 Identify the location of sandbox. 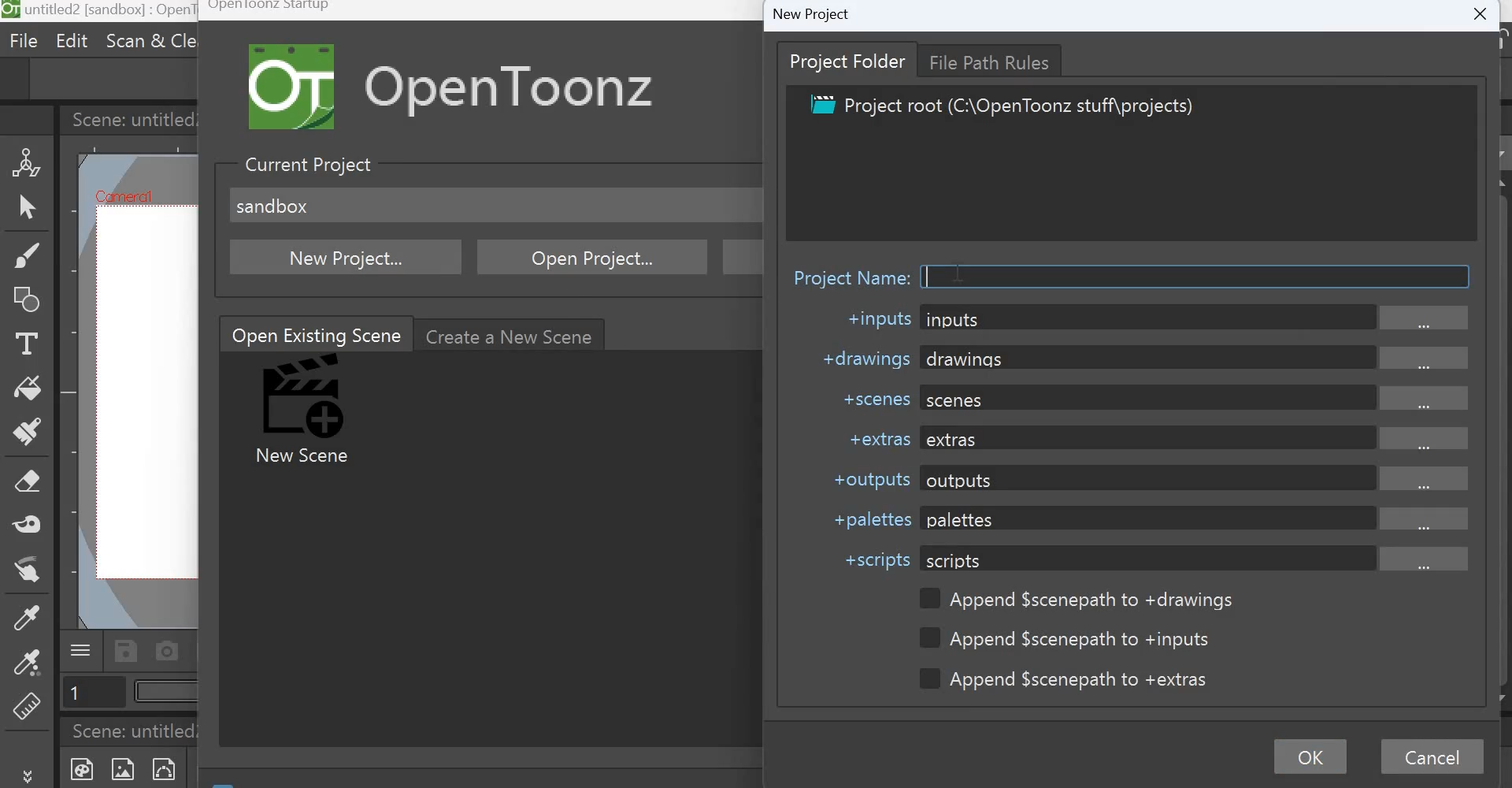
(272, 206).